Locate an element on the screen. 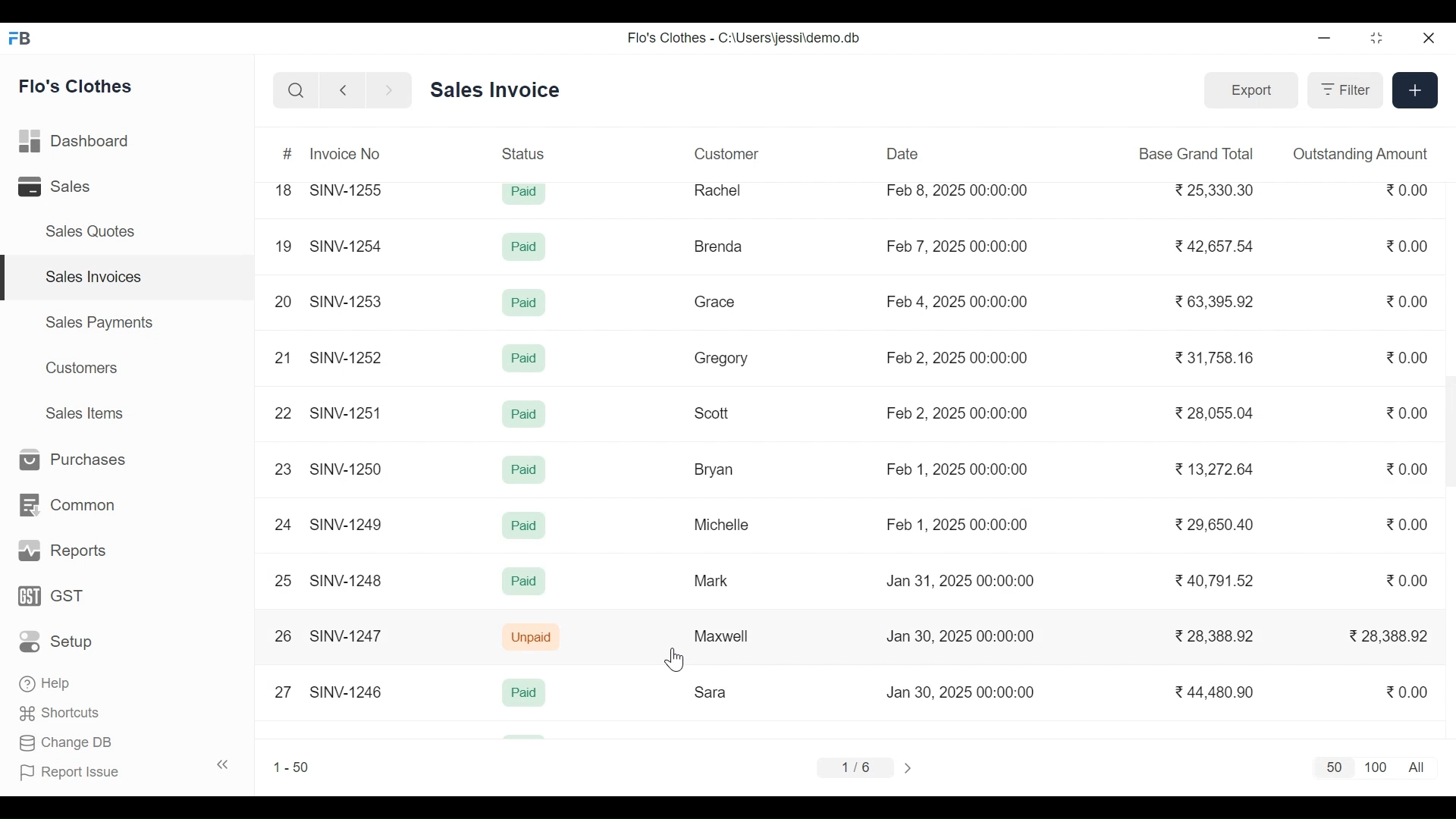 The image size is (1456, 819). Jan 30, 2025 00:00:00 is located at coordinates (965, 636).